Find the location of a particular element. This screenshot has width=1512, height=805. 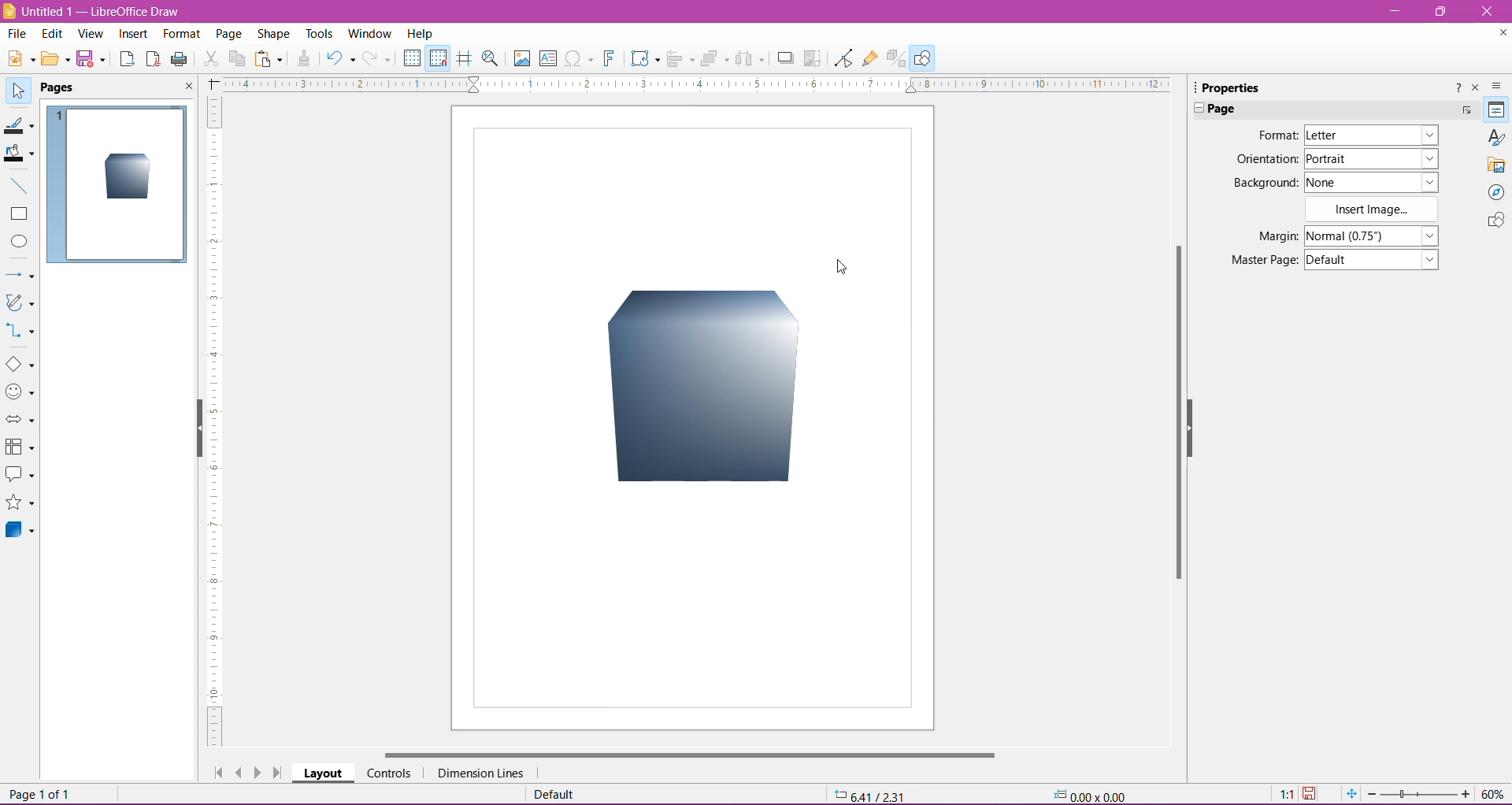

Hide is located at coordinates (196, 429).